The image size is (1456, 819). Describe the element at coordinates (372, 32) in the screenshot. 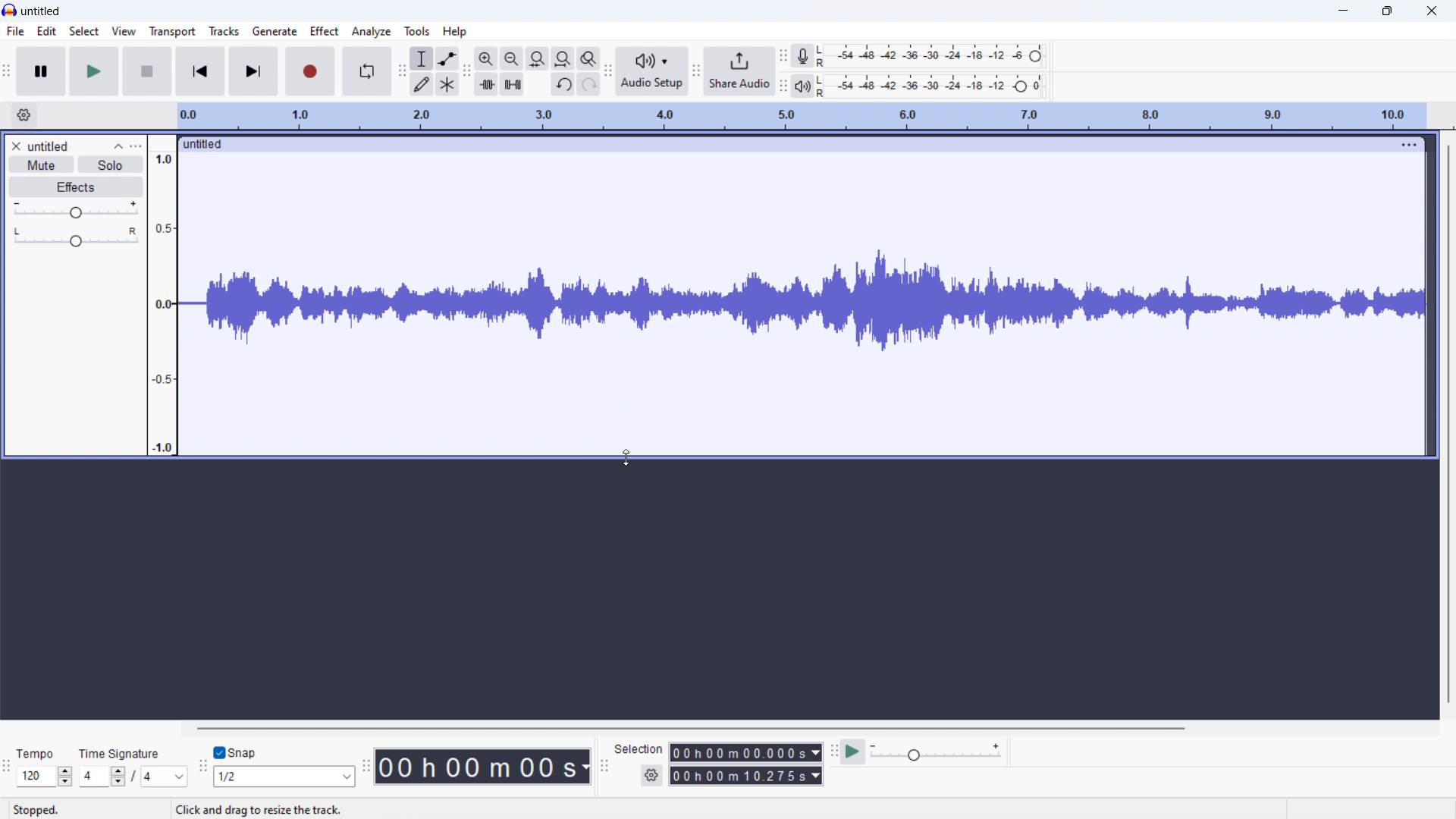

I see `analyze` at that location.